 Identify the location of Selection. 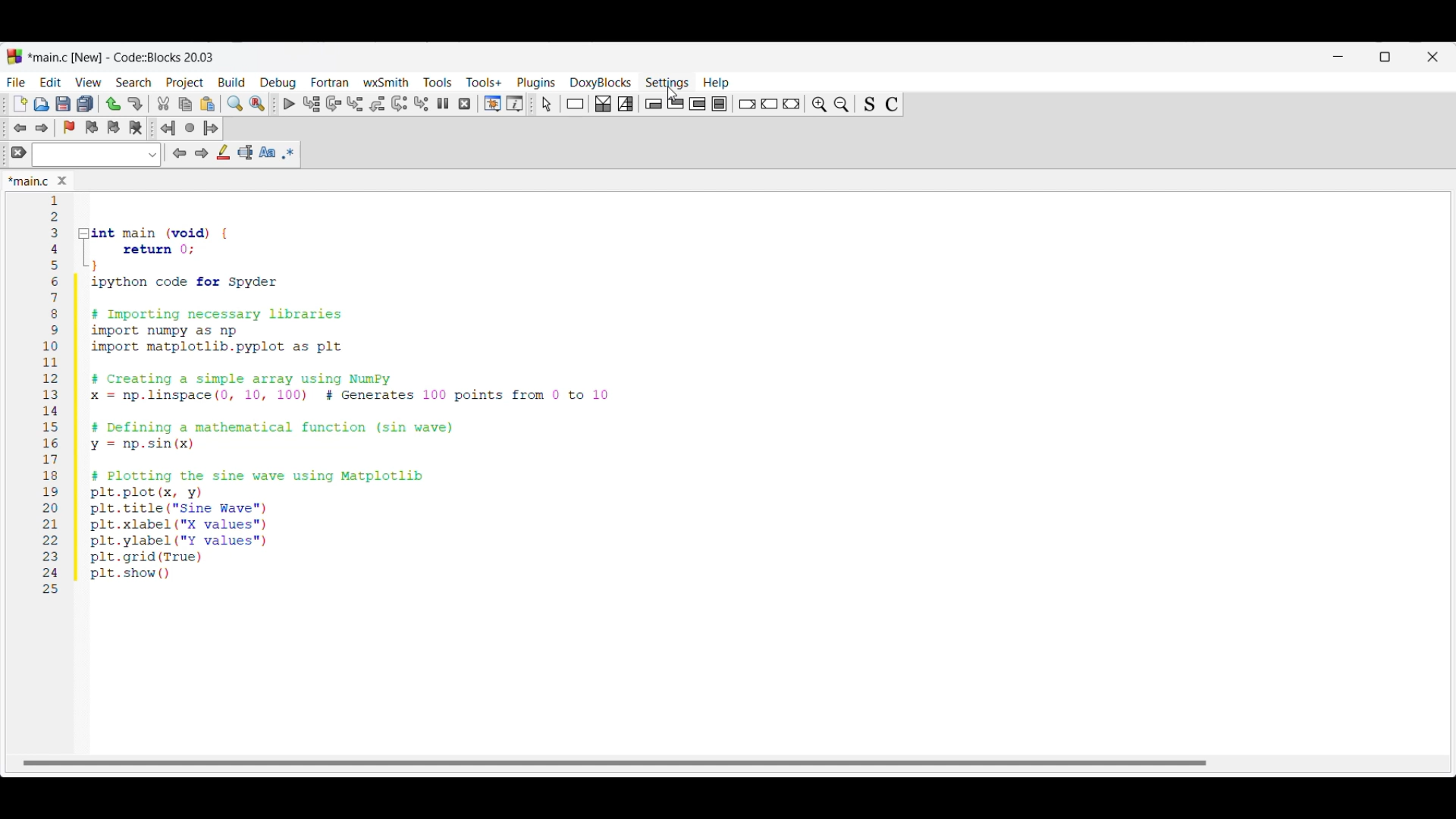
(626, 104).